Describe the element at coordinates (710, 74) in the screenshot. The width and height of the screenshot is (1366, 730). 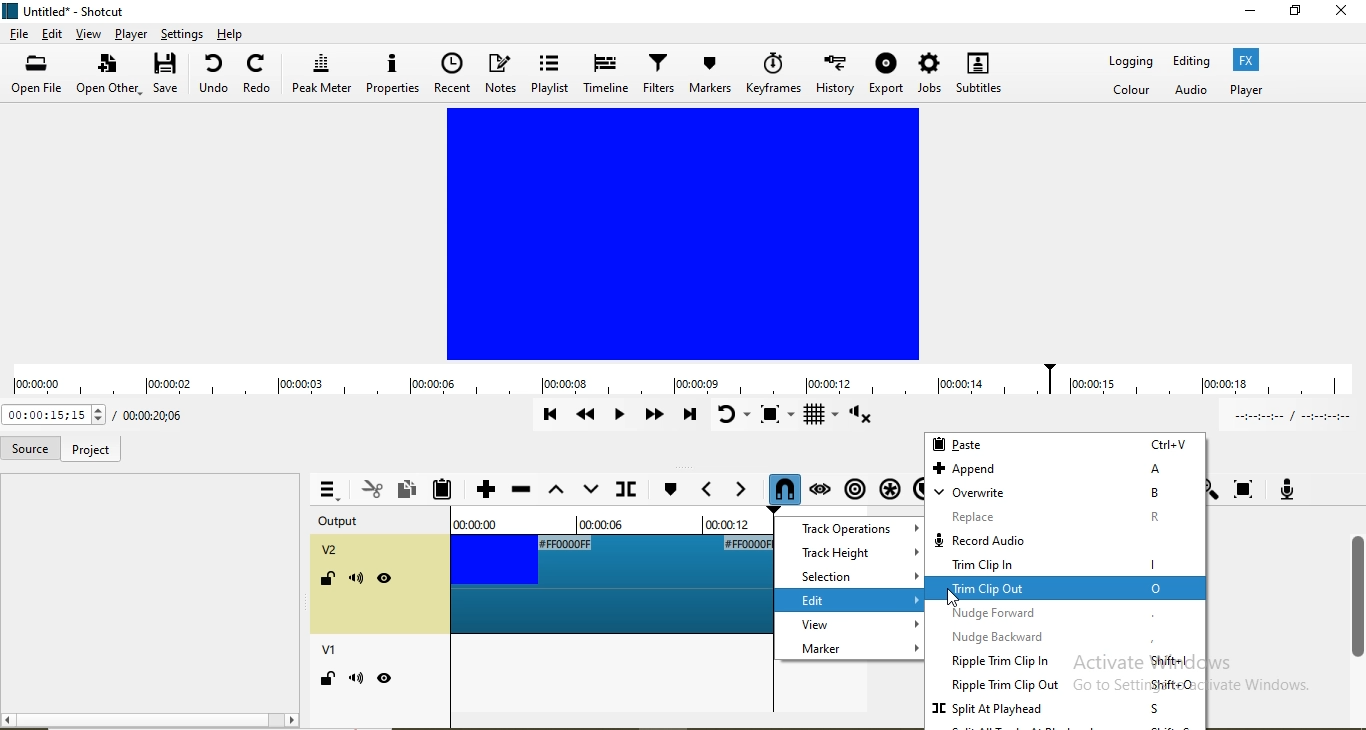
I see `markers` at that location.